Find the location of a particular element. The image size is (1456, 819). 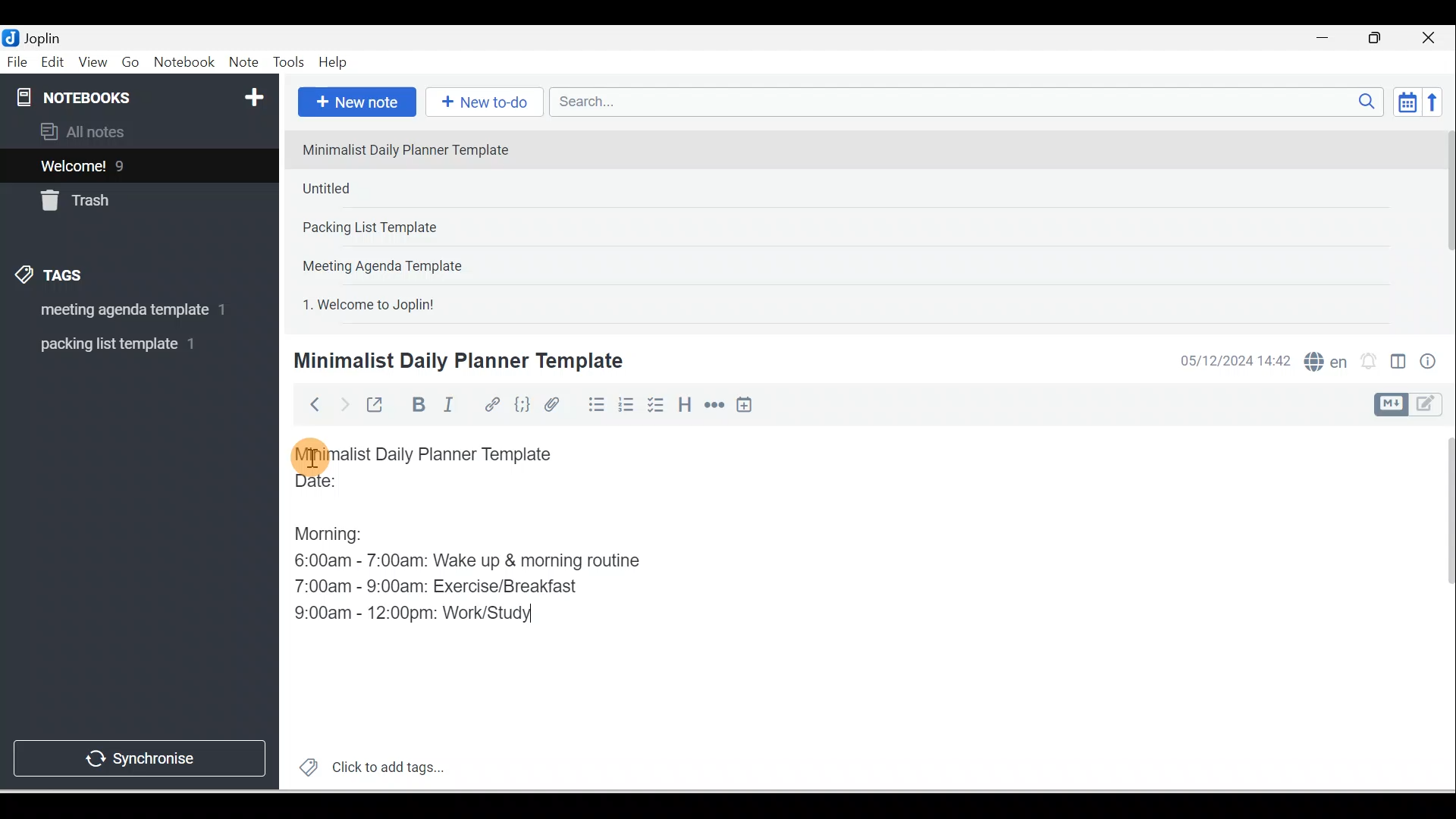

Back is located at coordinates (308, 404).